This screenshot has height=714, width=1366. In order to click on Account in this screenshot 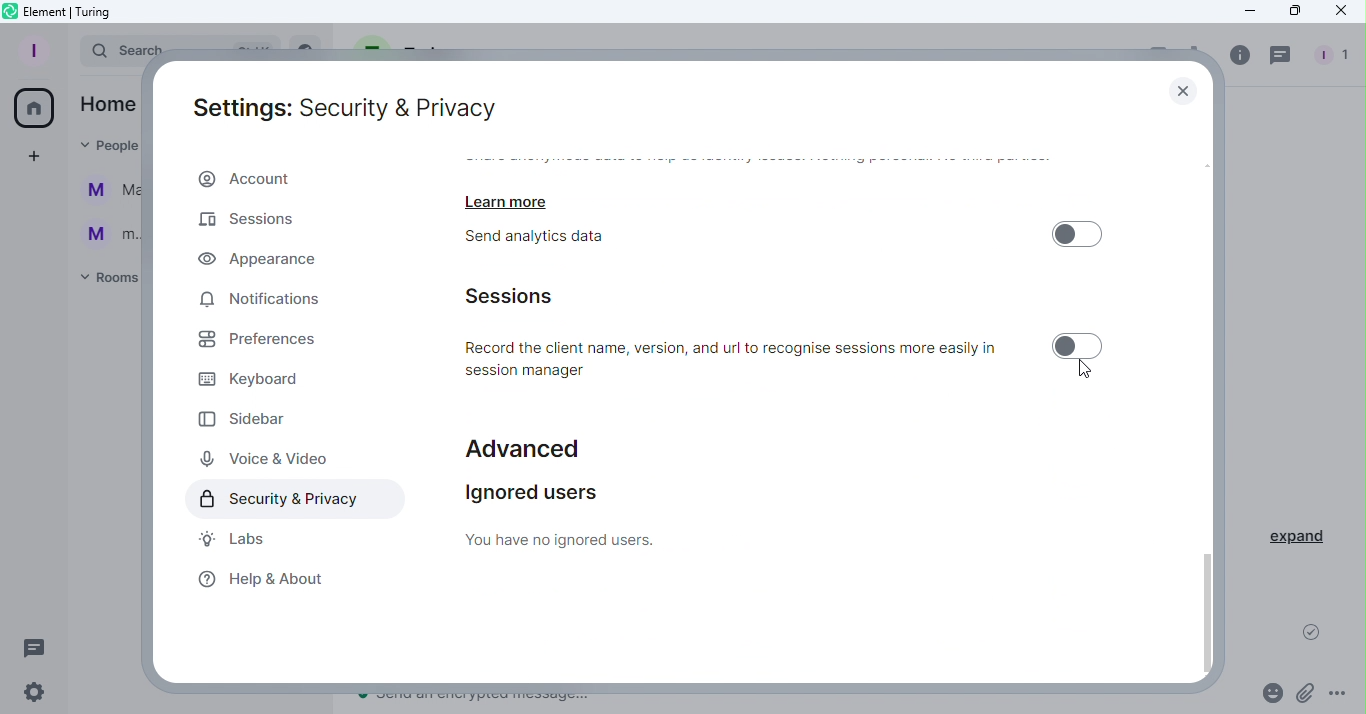, I will do `click(289, 178)`.